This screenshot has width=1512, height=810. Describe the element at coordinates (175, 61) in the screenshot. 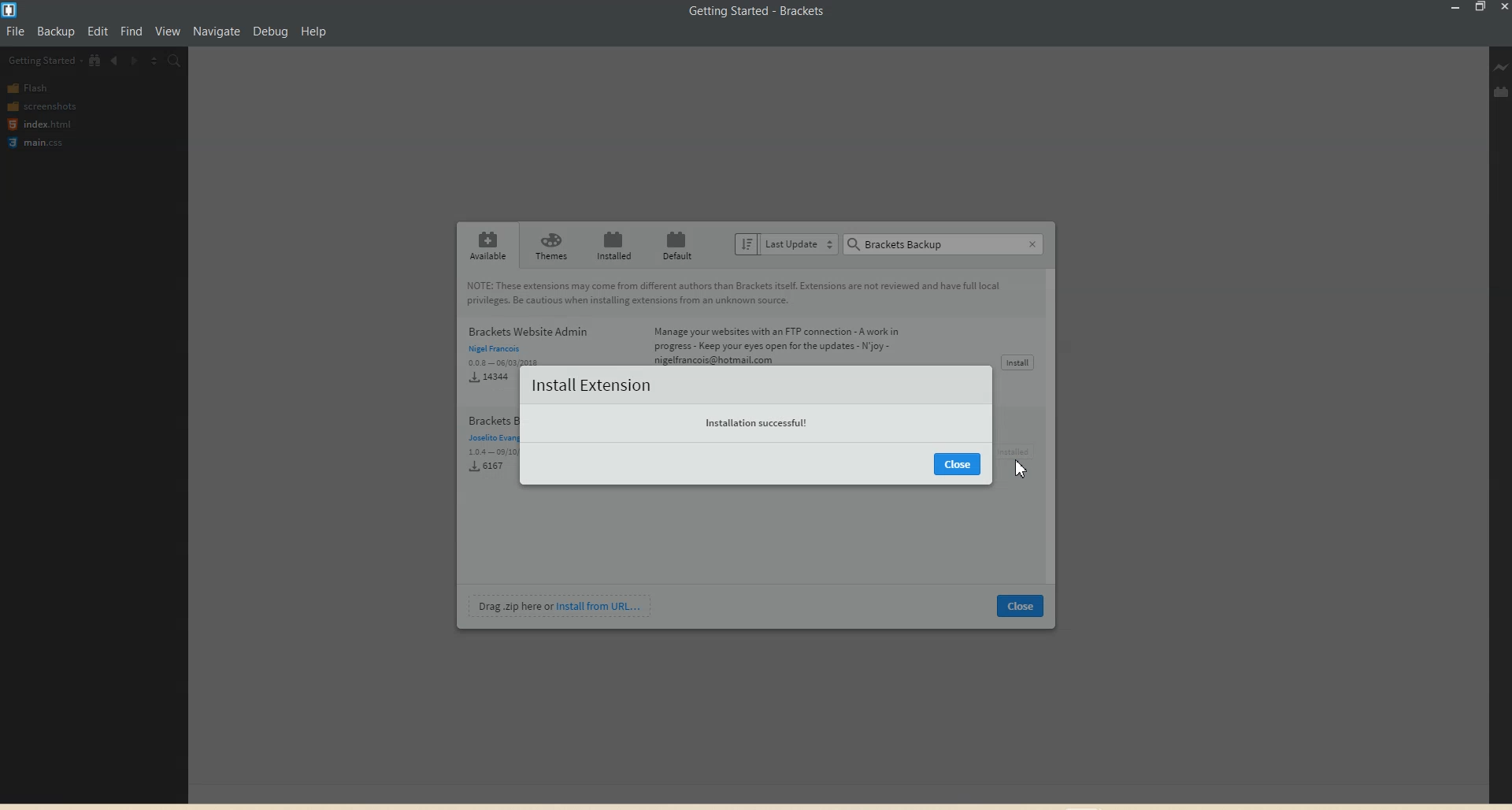

I see `Find in files` at that location.